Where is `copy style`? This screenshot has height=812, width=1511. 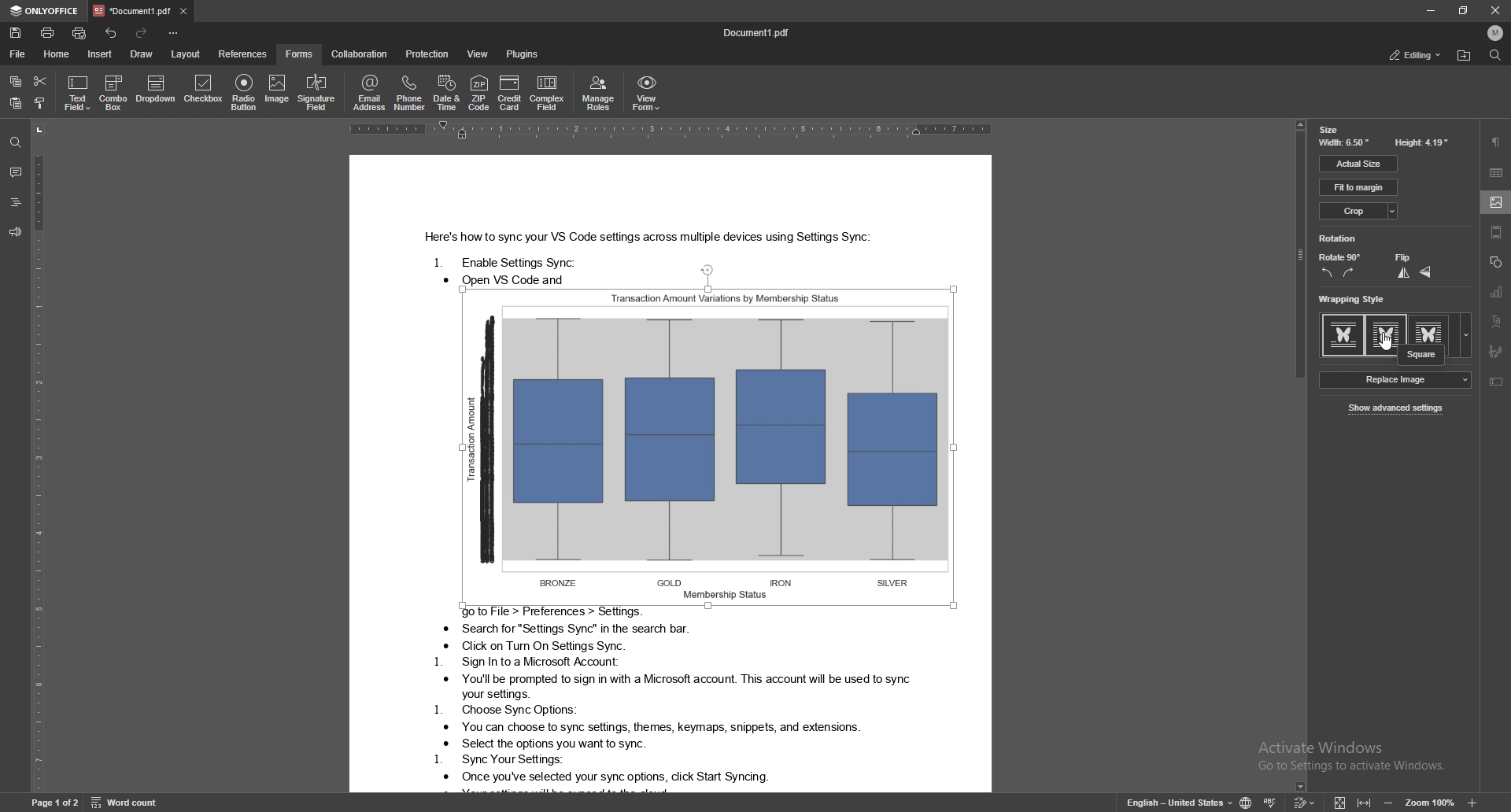
copy style is located at coordinates (40, 104).